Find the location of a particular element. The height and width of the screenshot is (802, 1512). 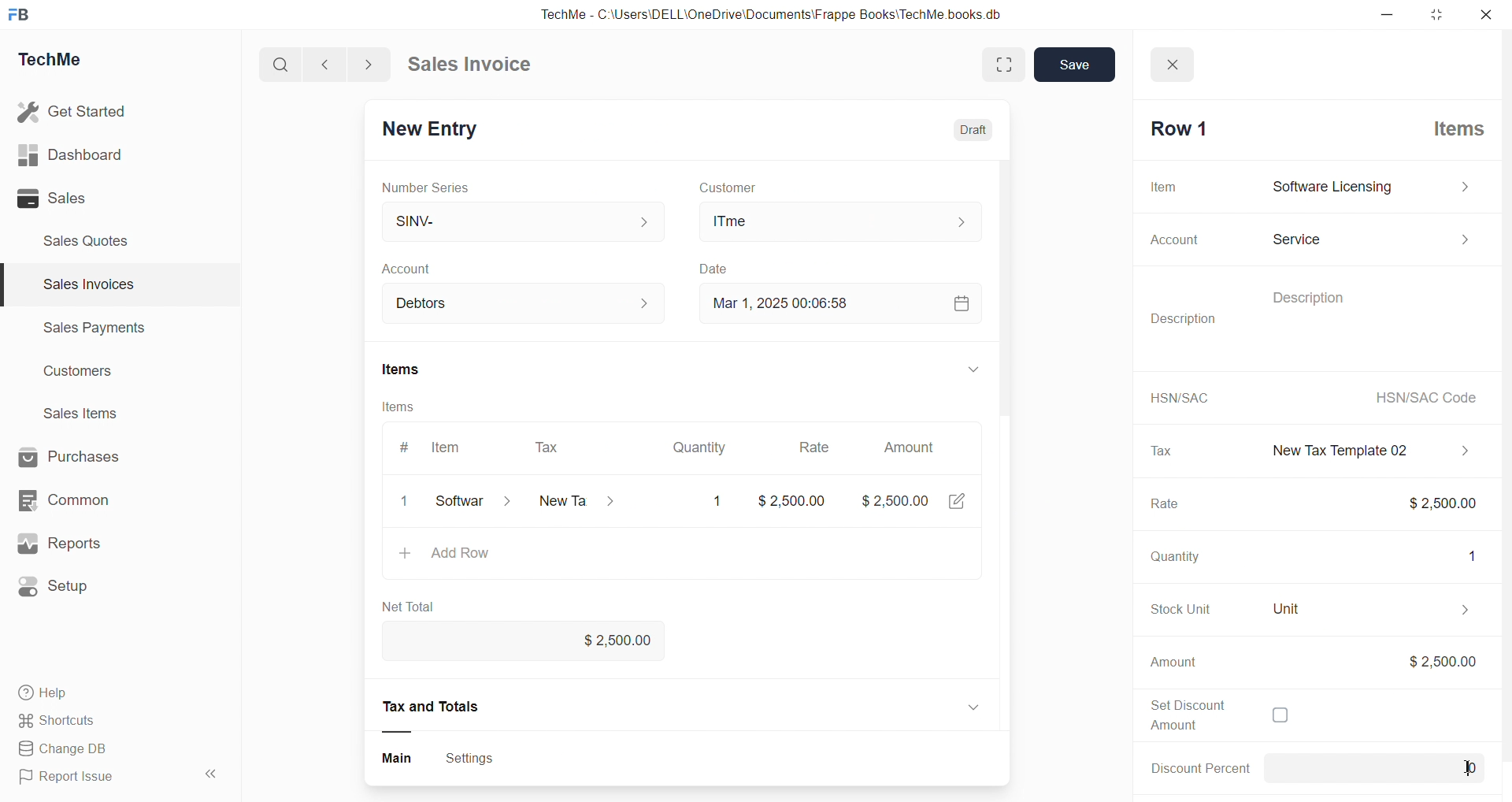

Account is located at coordinates (416, 266).